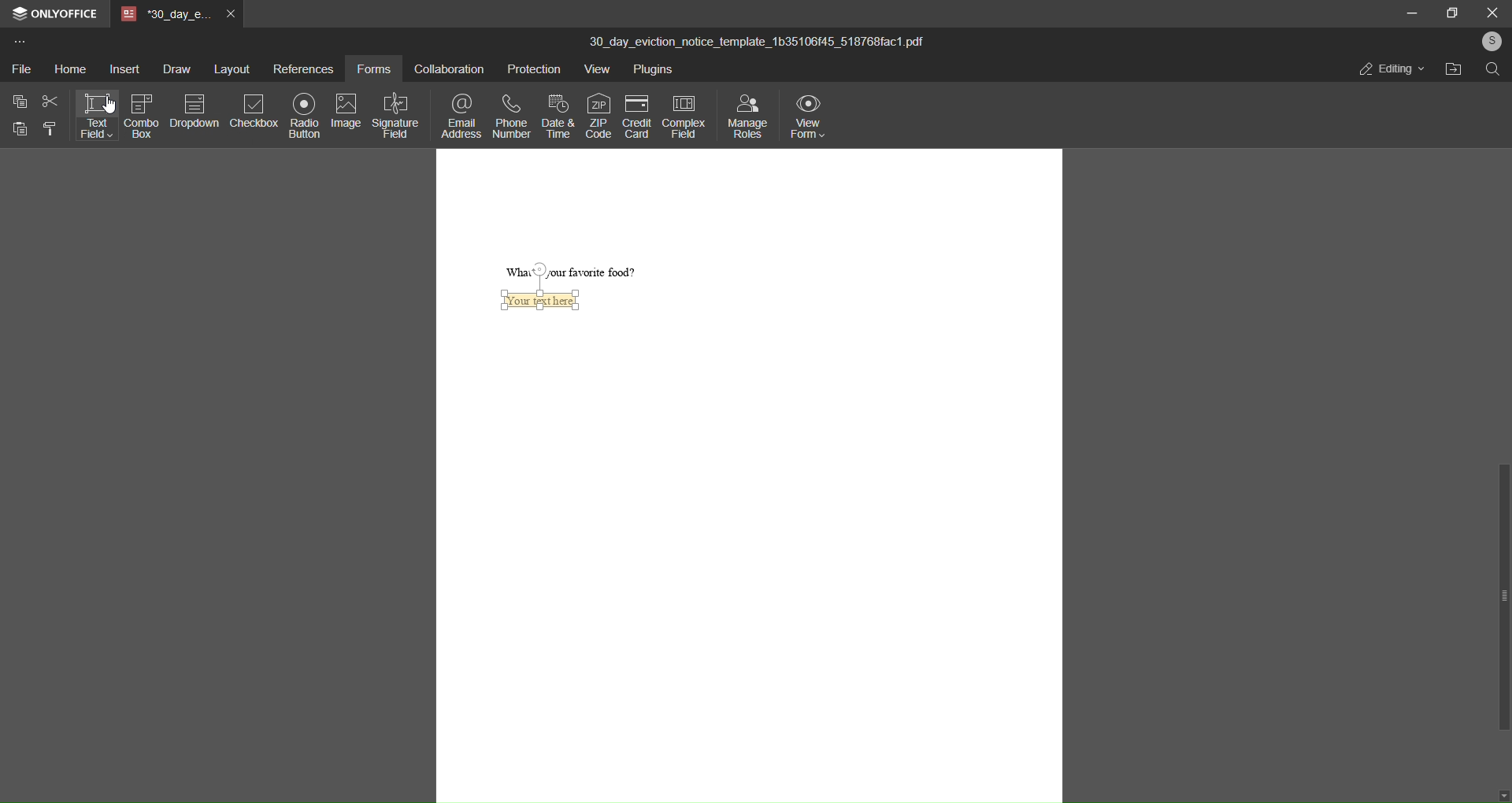  Describe the element at coordinates (653, 70) in the screenshot. I see `plugins` at that location.